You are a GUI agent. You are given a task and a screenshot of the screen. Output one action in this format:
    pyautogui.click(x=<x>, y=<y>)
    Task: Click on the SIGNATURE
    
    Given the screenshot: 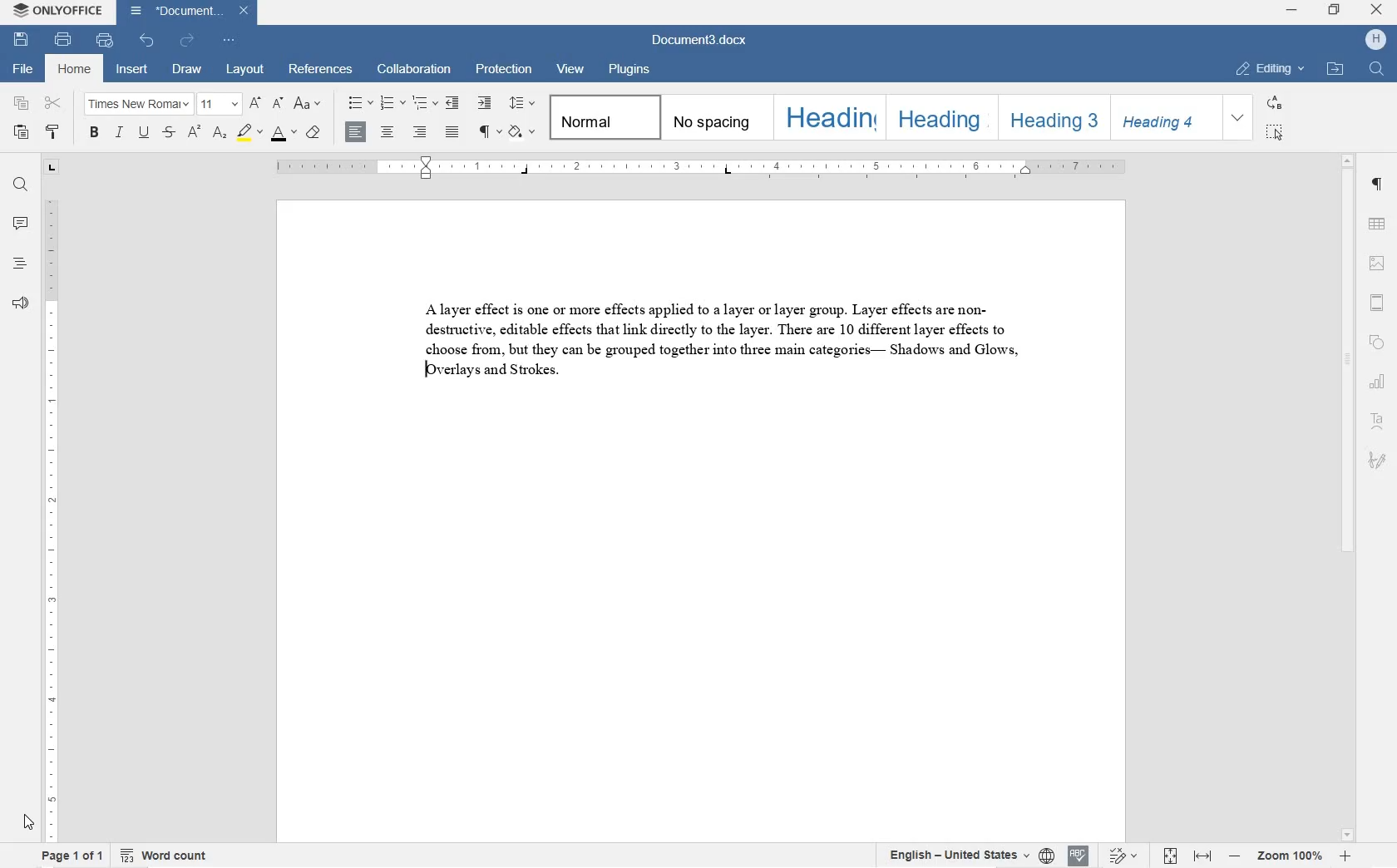 What is the action you would take?
    pyautogui.click(x=1378, y=463)
    